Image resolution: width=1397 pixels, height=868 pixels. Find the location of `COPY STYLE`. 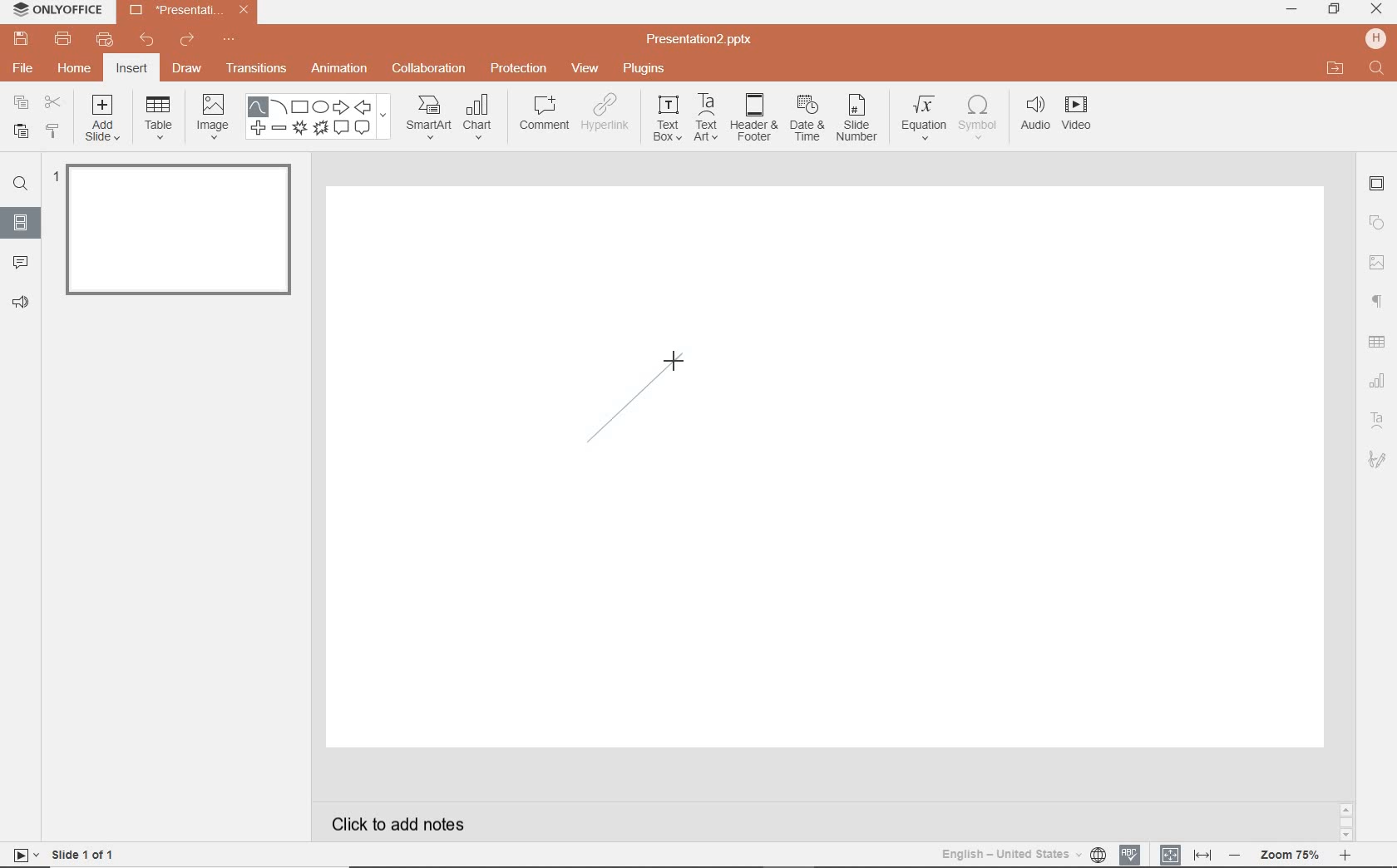

COPY STYLE is located at coordinates (52, 131).